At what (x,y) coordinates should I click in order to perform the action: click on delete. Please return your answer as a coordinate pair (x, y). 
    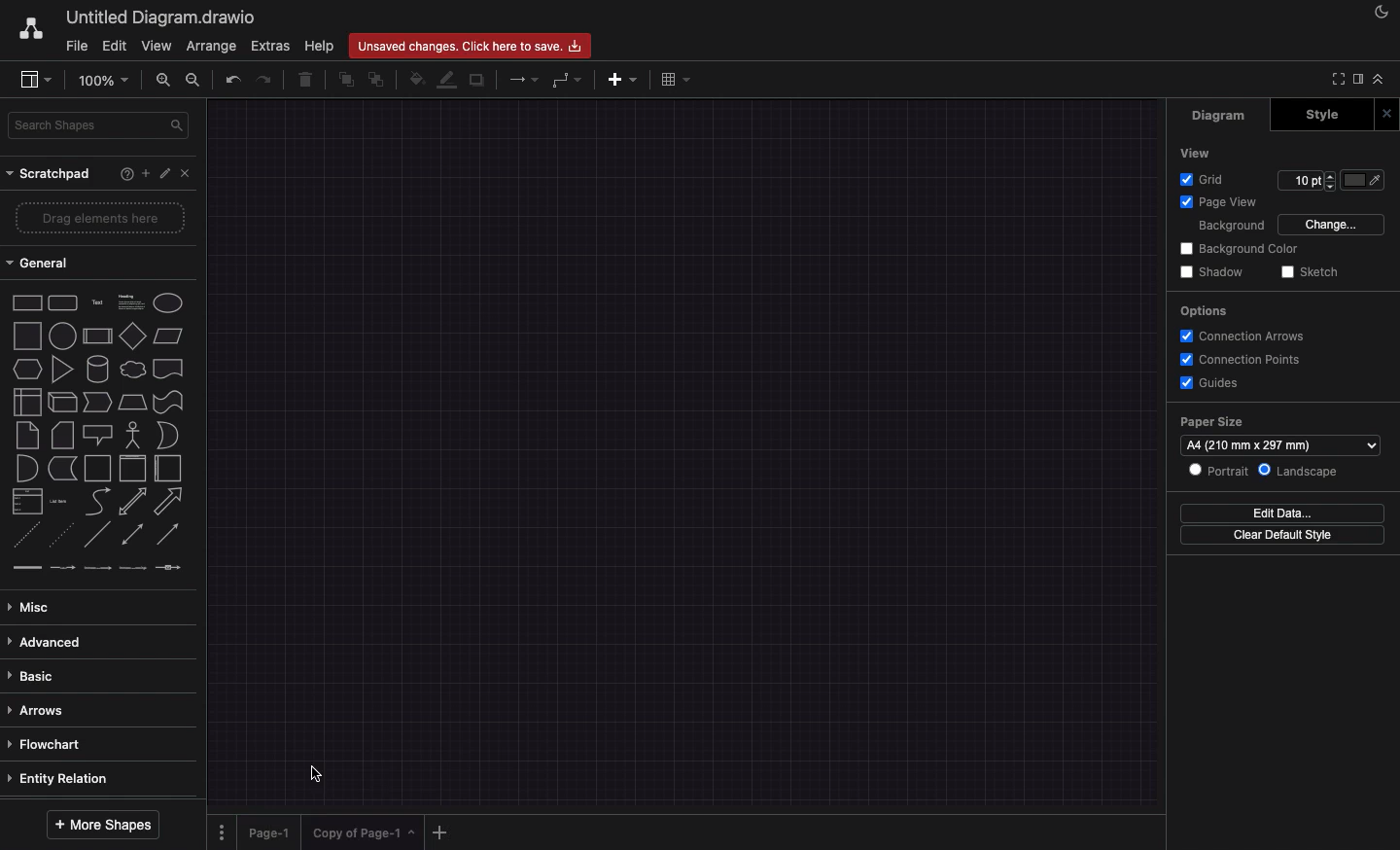
    Looking at the image, I should click on (304, 79).